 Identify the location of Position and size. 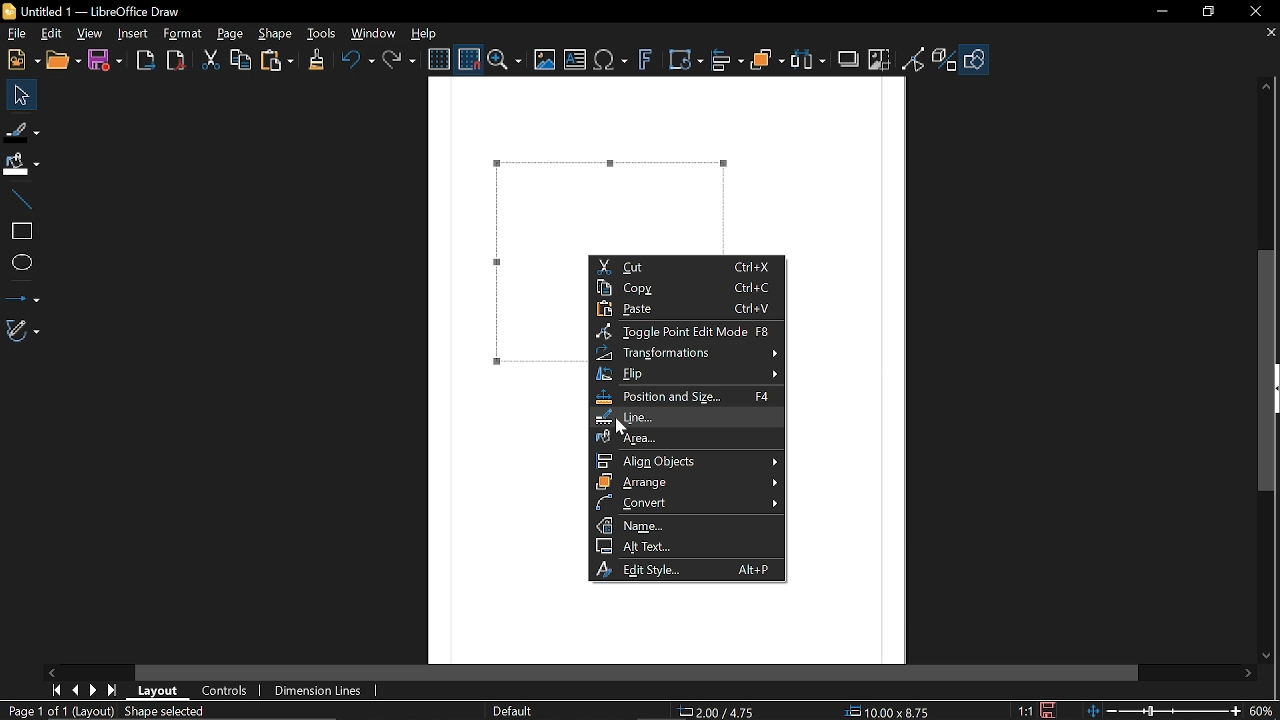
(691, 398).